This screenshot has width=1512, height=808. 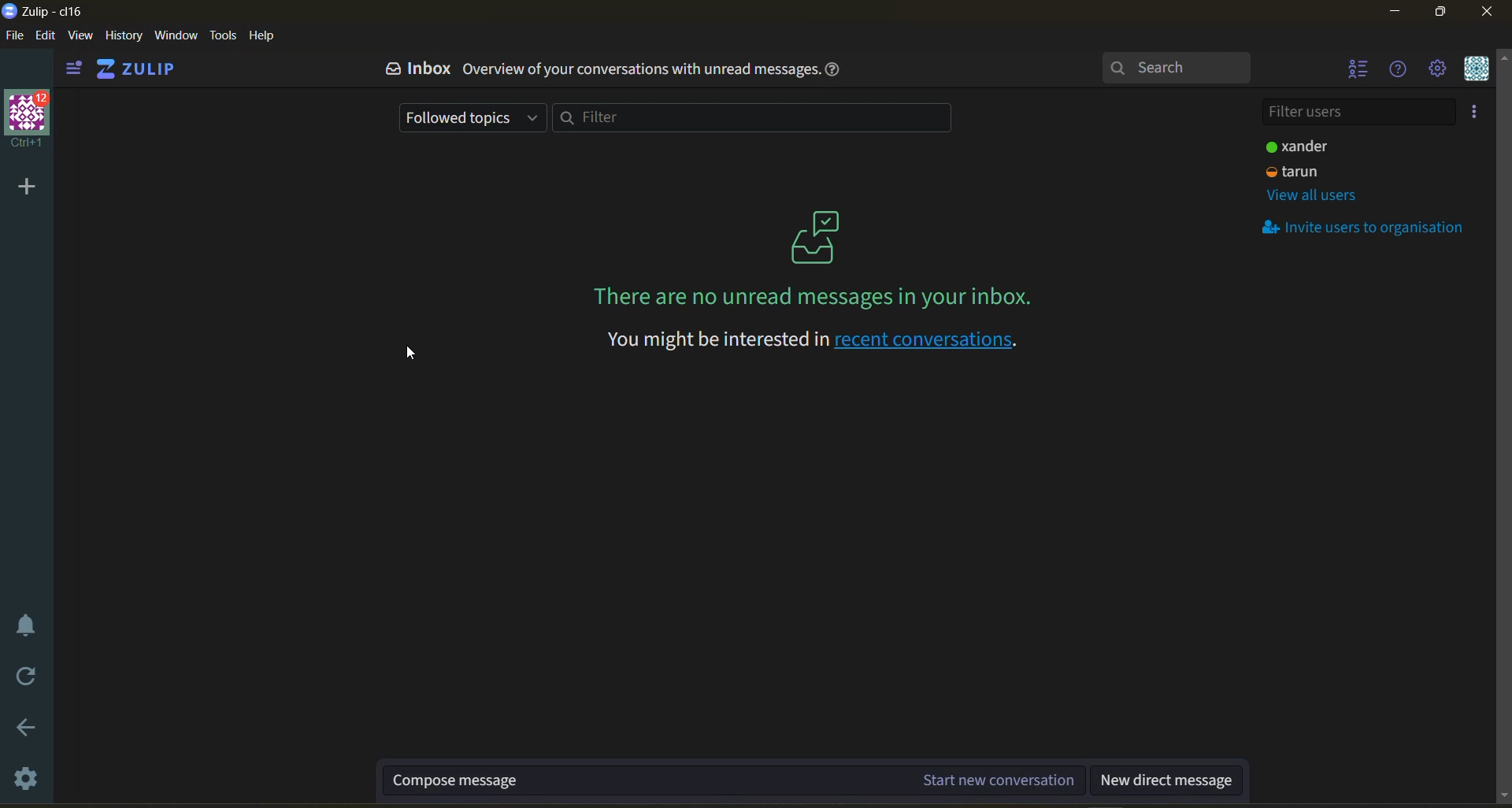 What do you see at coordinates (26, 779) in the screenshot?
I see `settings` at bounding box center [26, 779].